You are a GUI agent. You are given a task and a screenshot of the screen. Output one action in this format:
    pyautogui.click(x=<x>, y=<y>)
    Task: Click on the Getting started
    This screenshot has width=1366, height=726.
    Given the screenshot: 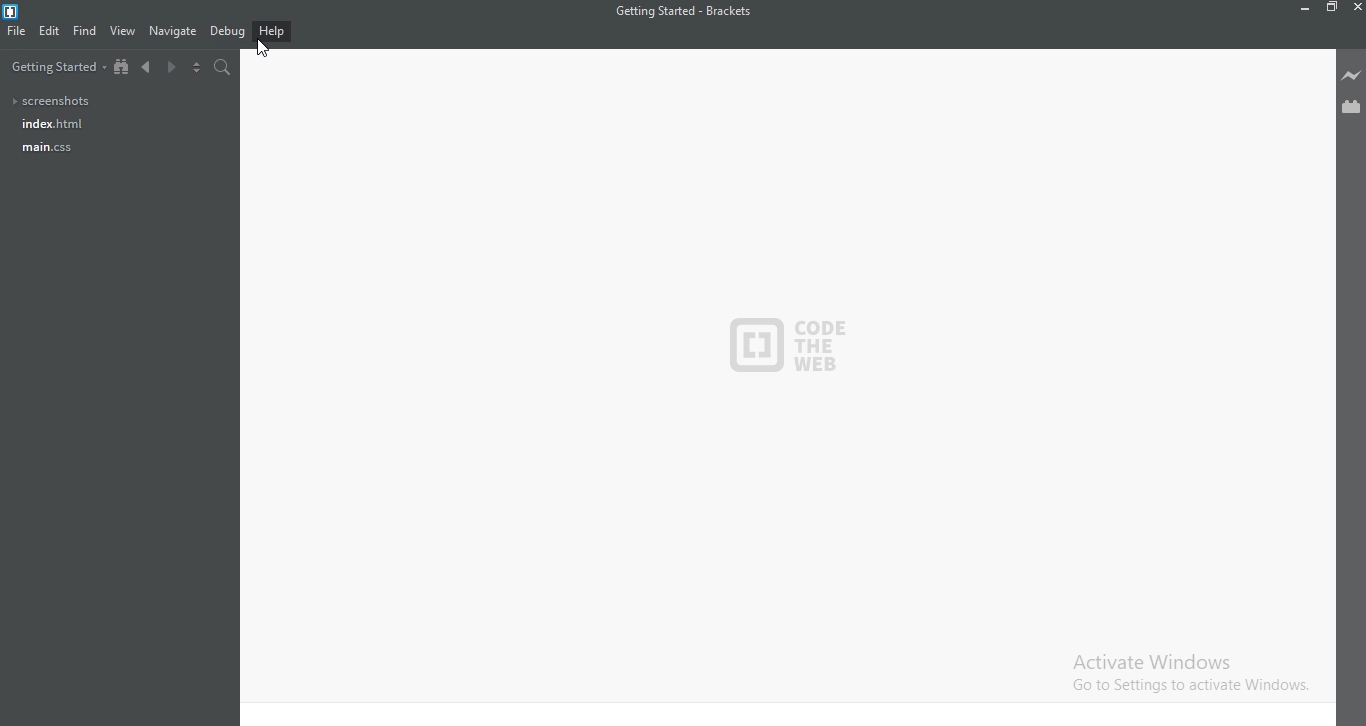 What is the action you would take?
    pyautogui.click(x=60, y=65)
    